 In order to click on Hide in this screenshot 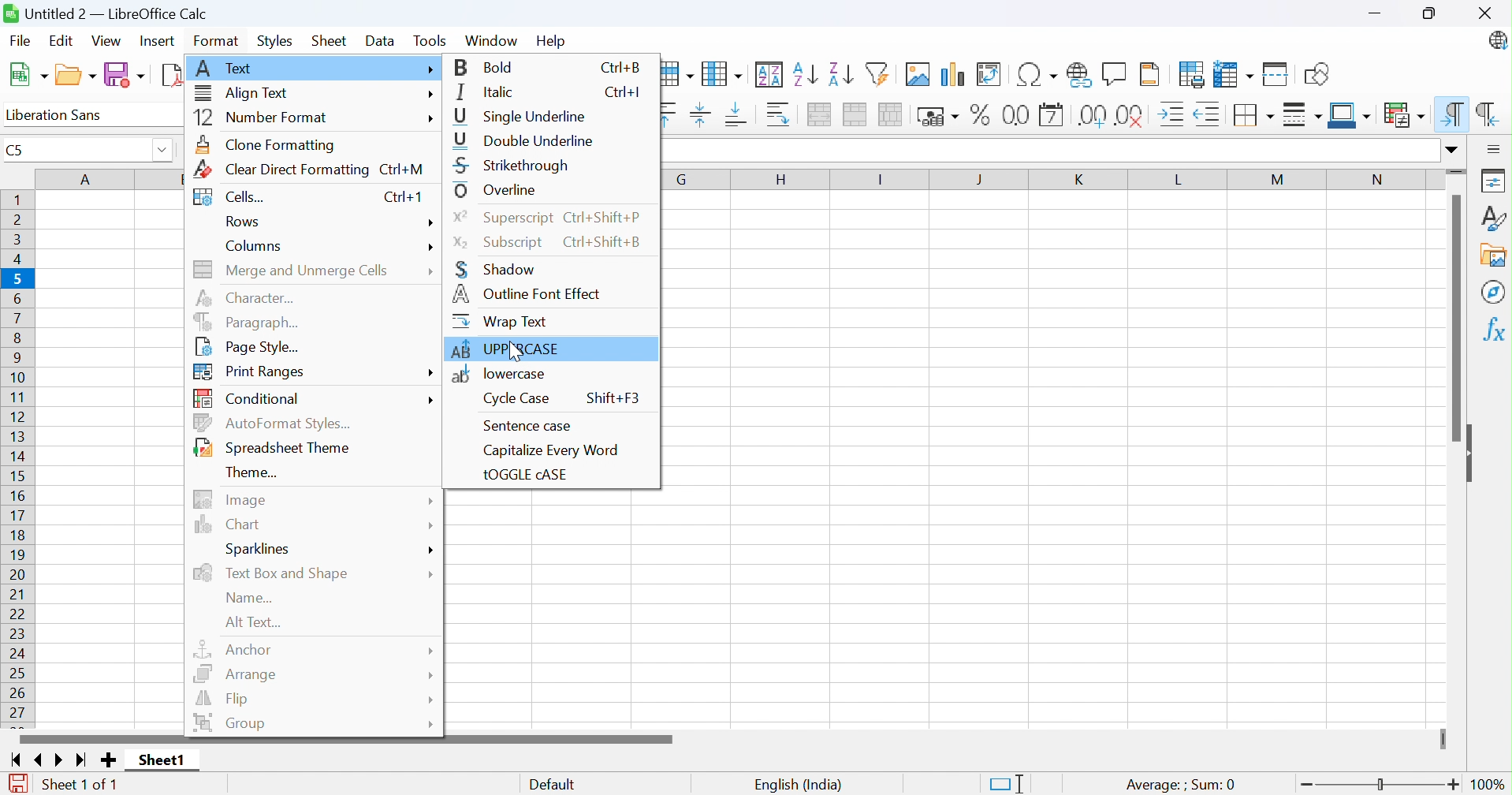, I will do `click(1472, 450)`.